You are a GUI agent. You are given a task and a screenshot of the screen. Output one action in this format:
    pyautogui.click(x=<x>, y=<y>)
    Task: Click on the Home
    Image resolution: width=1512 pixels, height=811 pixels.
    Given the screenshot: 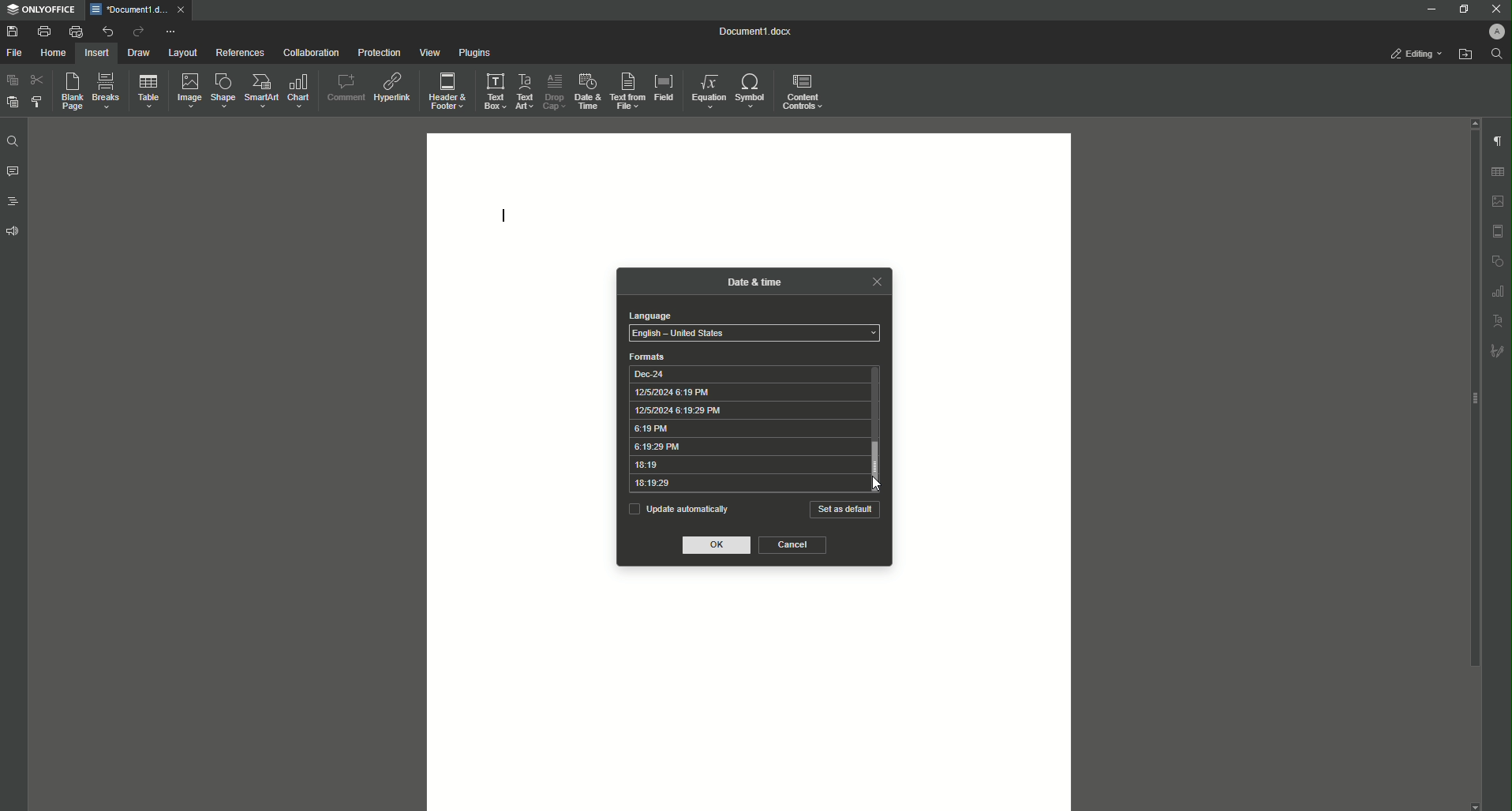 What is the action you would take?
    pyautogui.click(x=54, y=53)
    